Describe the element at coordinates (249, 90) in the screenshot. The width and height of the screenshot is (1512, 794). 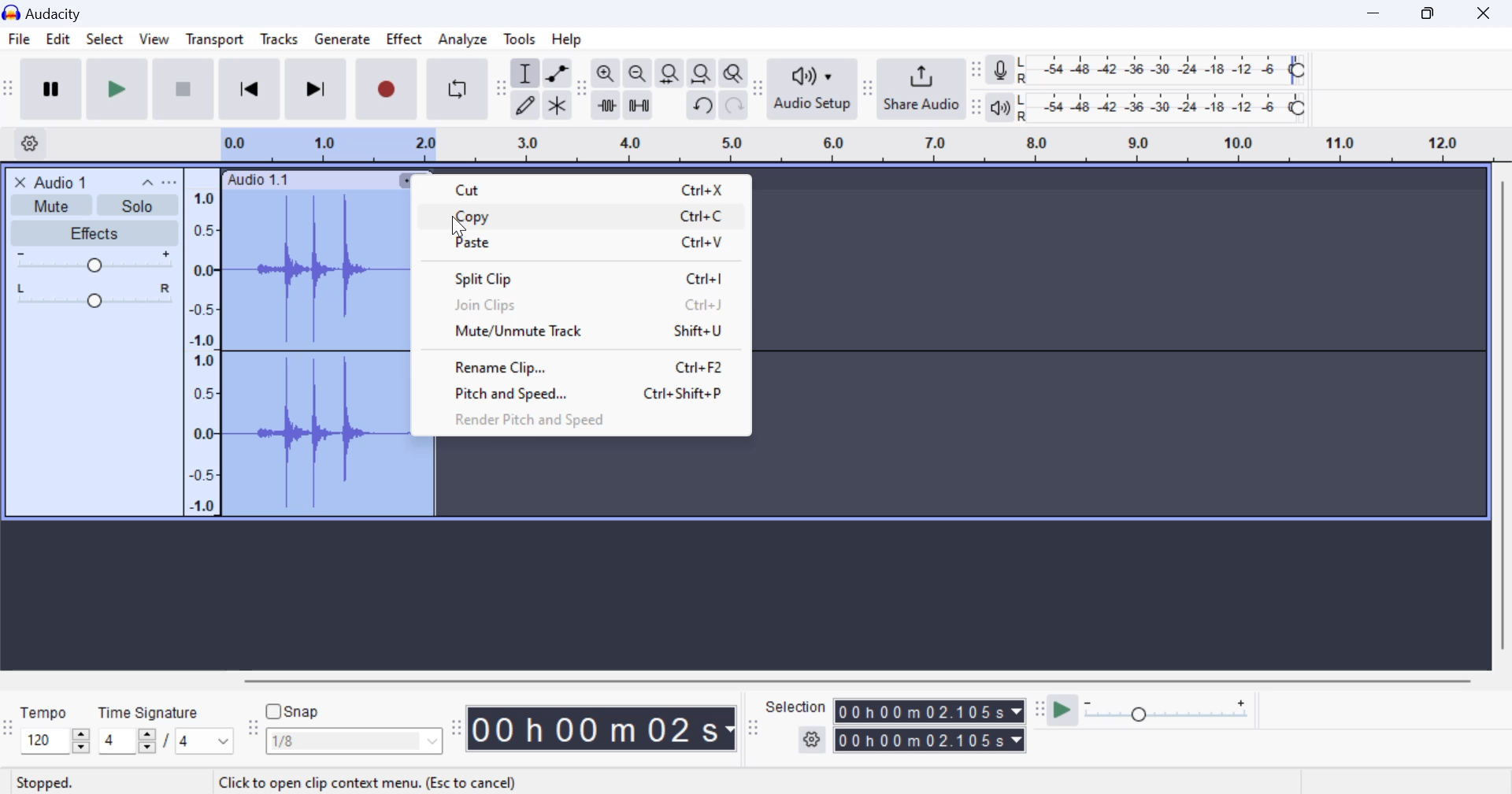
I see `Skip to Beginning` at that location.